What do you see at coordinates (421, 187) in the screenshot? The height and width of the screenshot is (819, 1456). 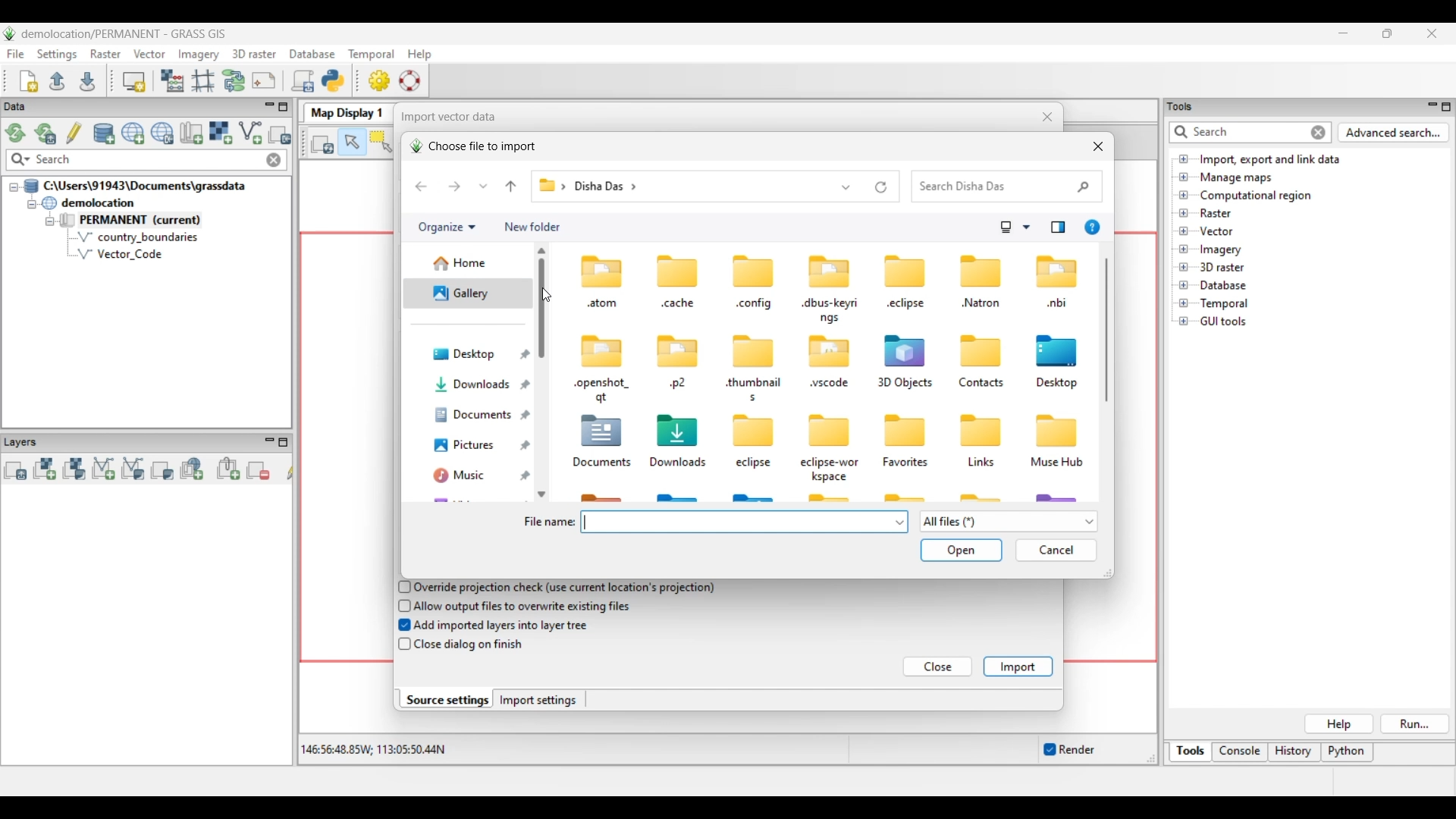 I see `Go back` at bounding box center [421, 187].